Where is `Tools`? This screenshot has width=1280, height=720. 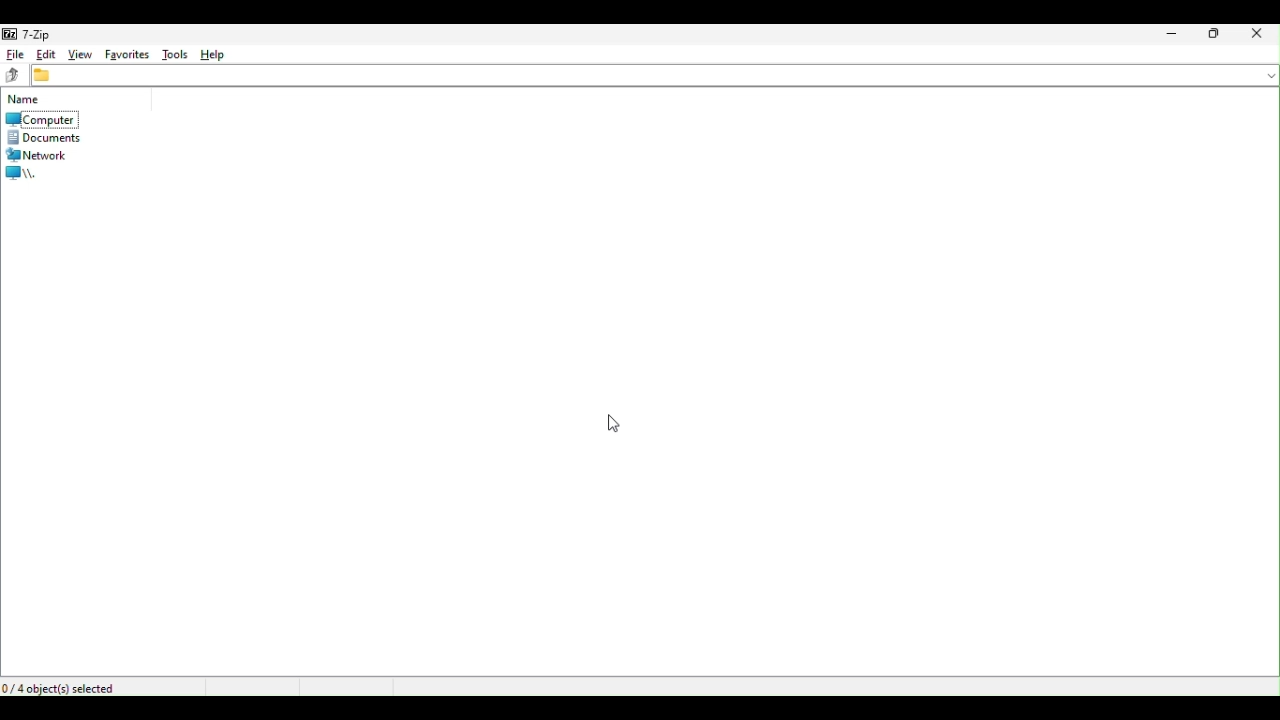 Tools is located at coordinates (171, 53).